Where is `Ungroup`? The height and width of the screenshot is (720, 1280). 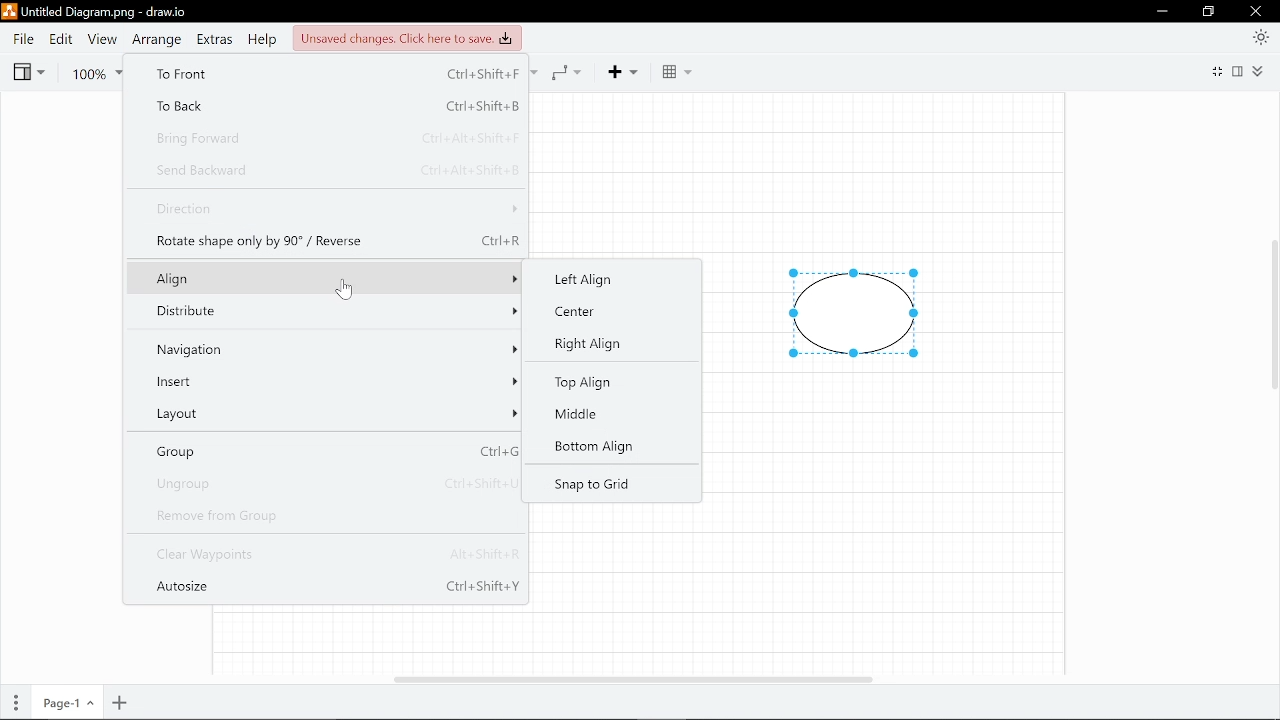
Ungroup is located at coordinates (330, 482).